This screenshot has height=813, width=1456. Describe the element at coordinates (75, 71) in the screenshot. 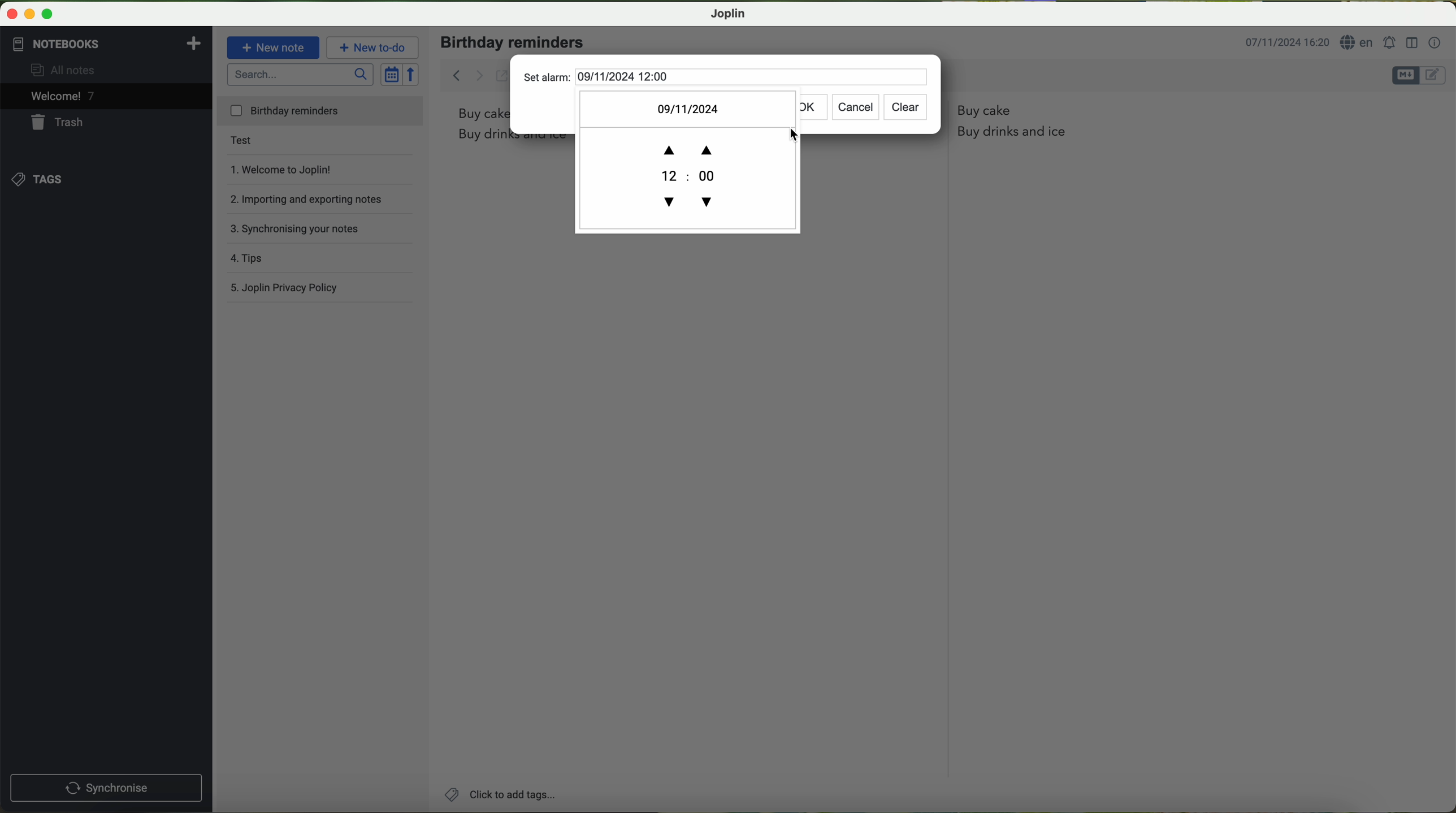

I see `all notes` at that location.